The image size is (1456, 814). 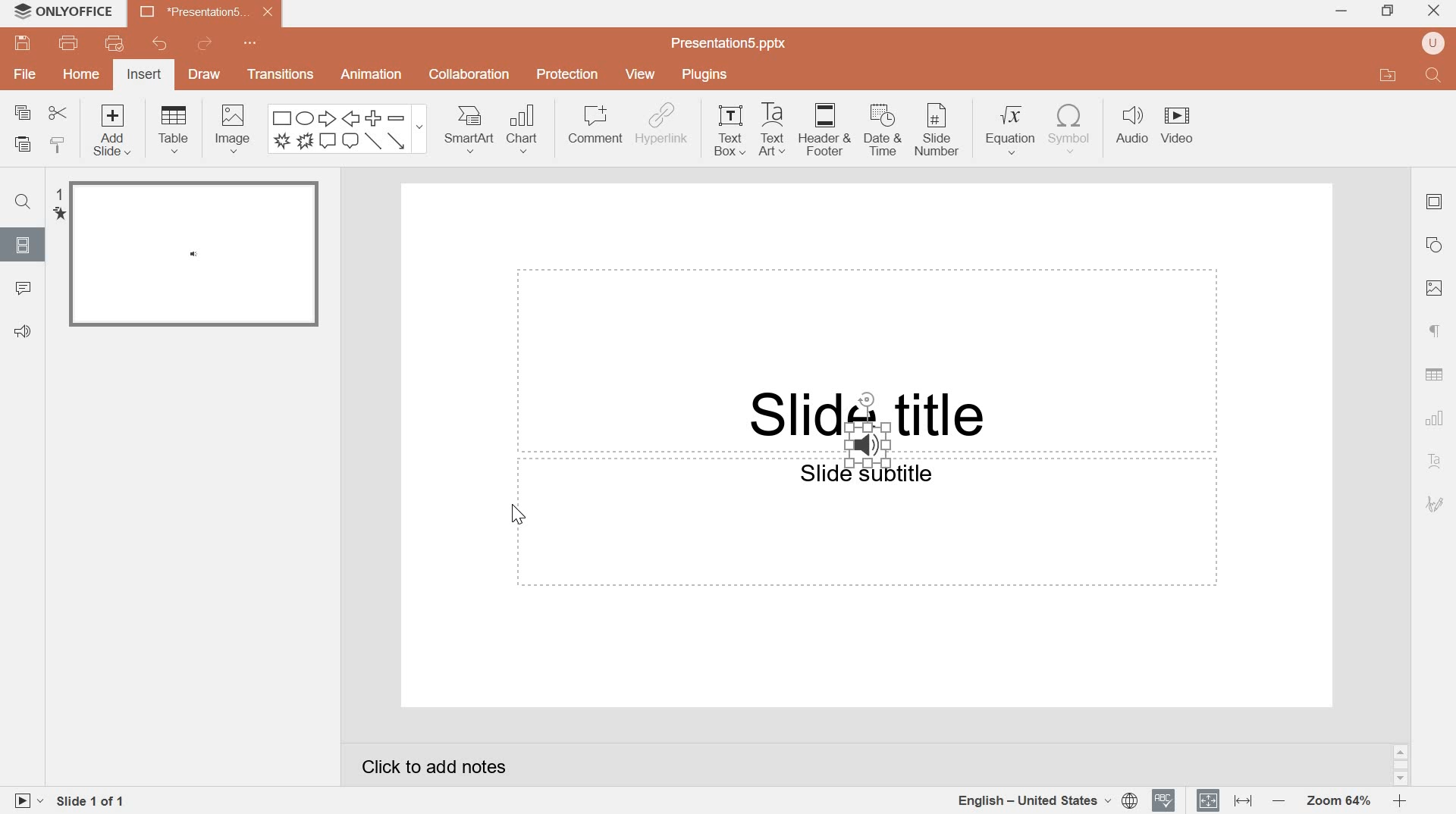 I want to click on paragraph settings, so click(x=1430, y=332).